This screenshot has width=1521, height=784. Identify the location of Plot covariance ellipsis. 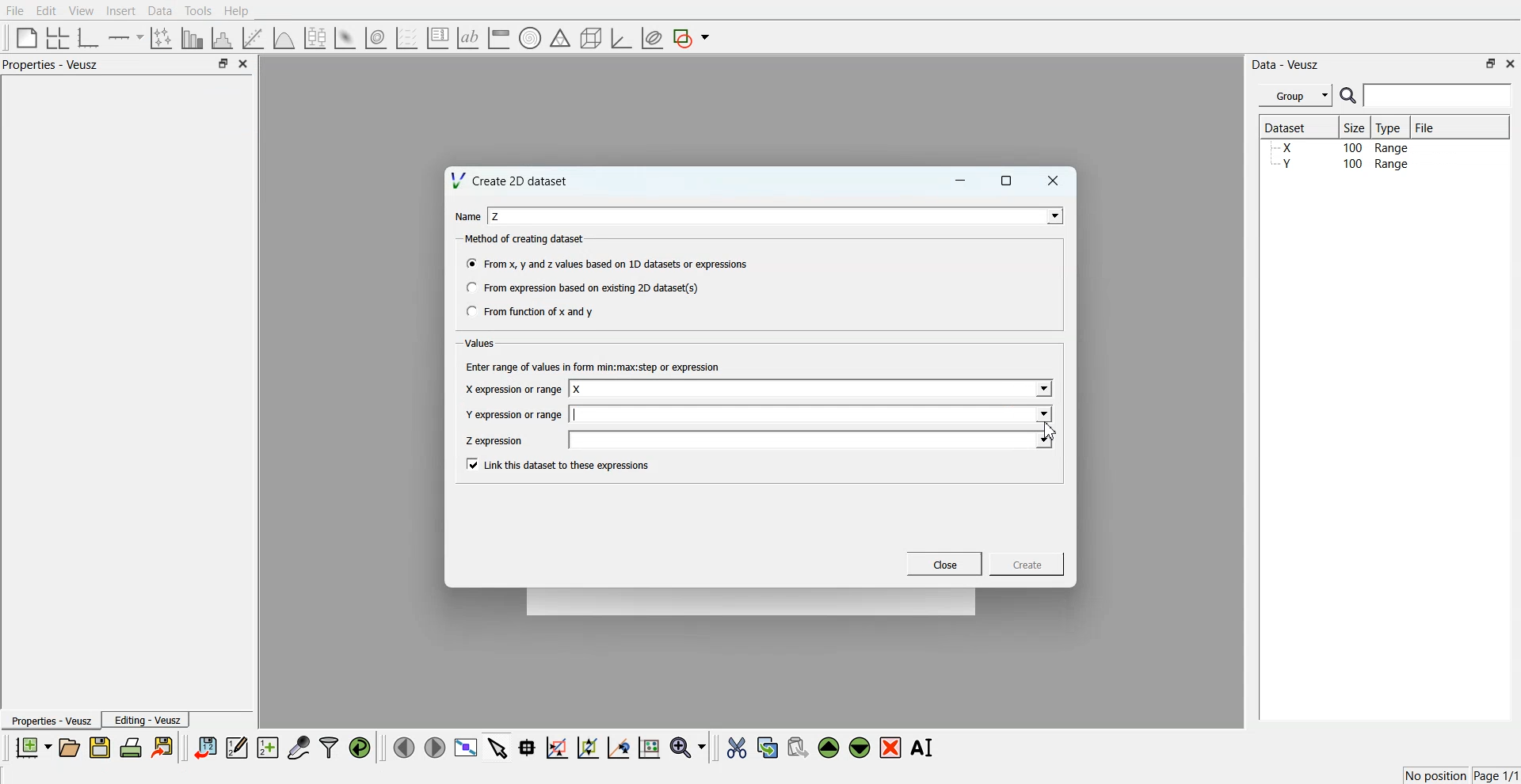
(653, 39).